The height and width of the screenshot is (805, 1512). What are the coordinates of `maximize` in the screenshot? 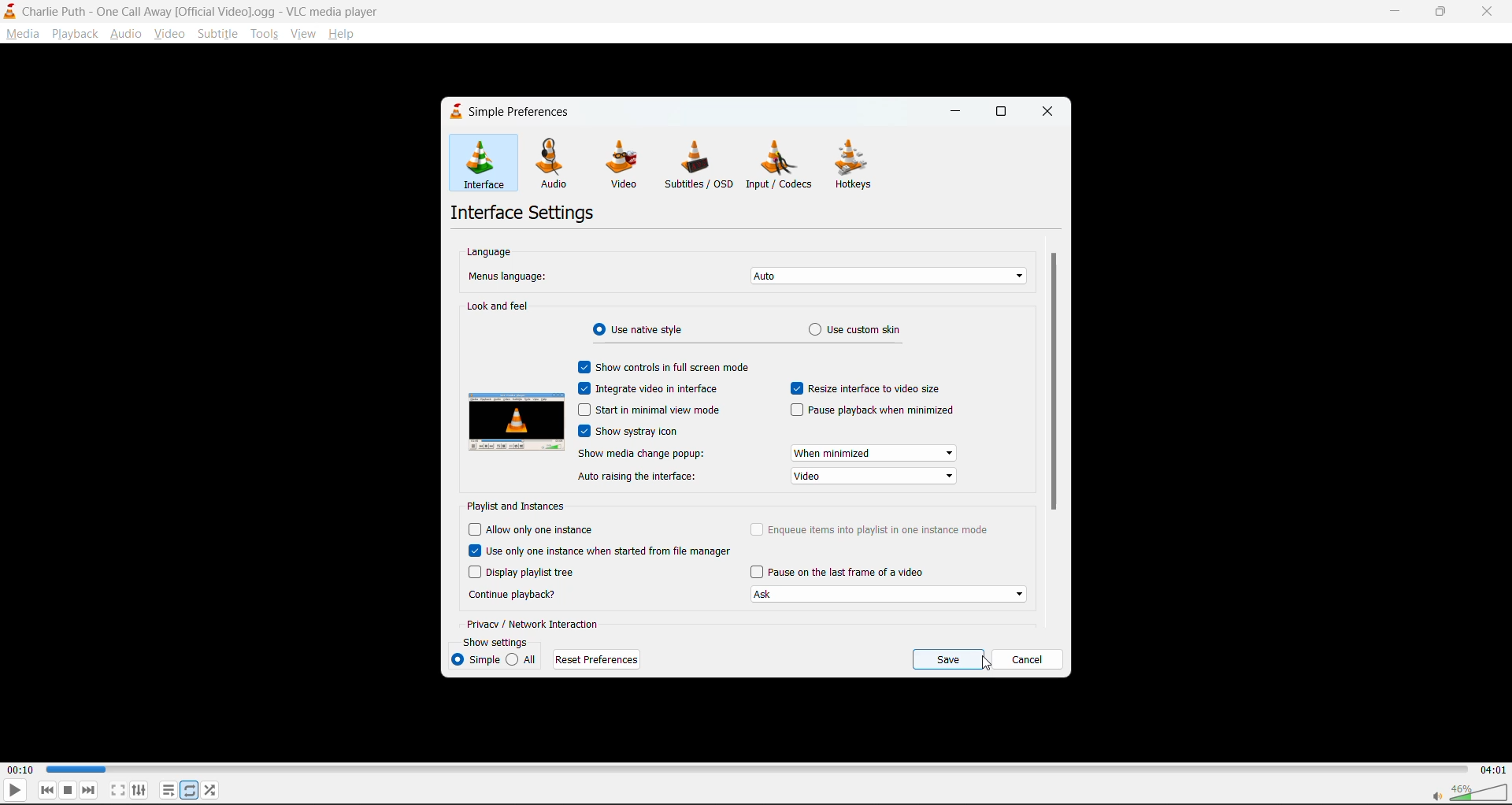 It's located at (1006, 115).